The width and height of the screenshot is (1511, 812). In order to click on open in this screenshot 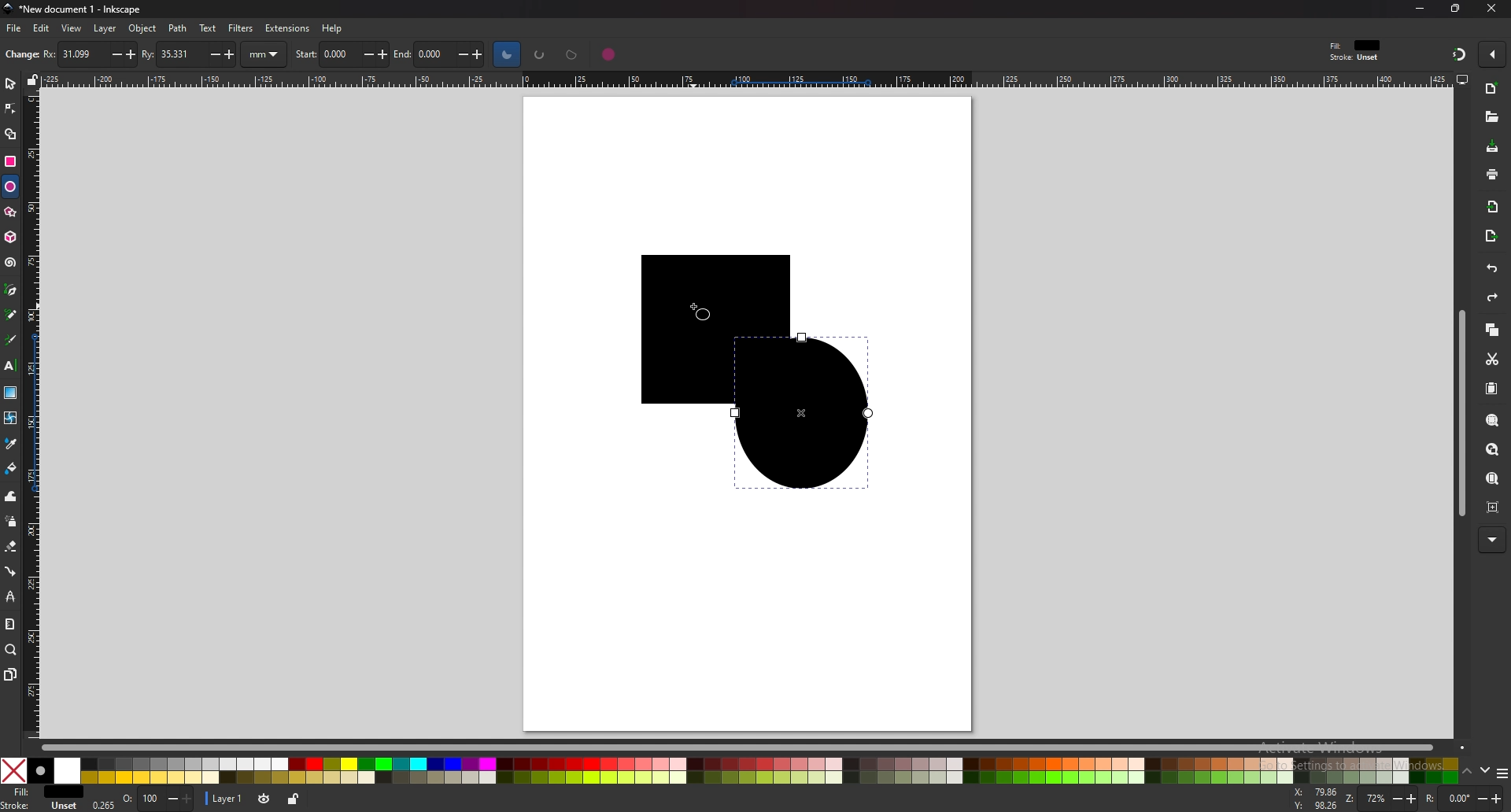, I will do `click(1492, 117)`.